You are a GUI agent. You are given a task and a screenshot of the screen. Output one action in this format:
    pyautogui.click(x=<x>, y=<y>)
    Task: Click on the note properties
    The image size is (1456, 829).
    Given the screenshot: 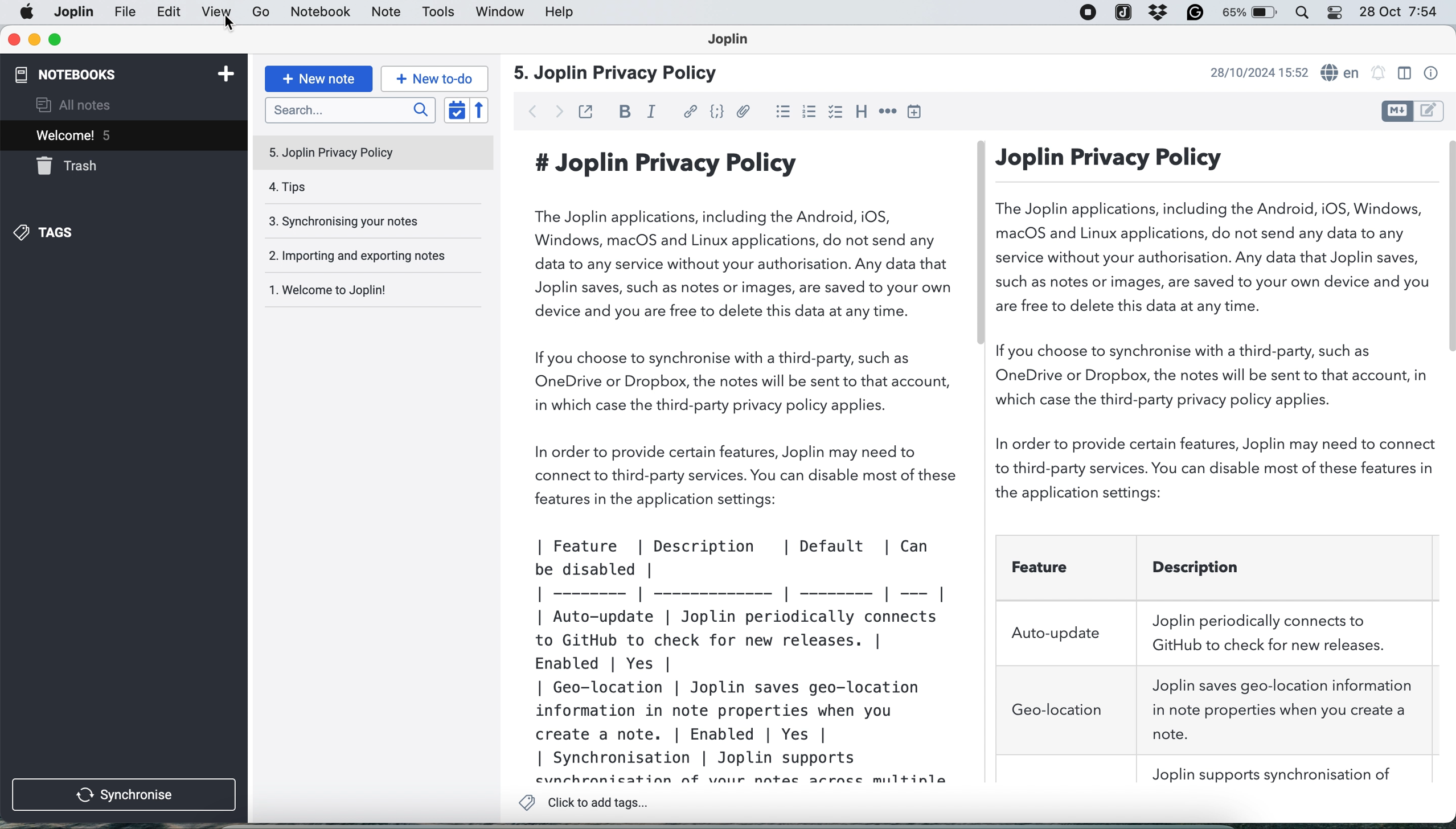 What is the action you would take?
    pyautogui.click(x=1430, y=73)
    